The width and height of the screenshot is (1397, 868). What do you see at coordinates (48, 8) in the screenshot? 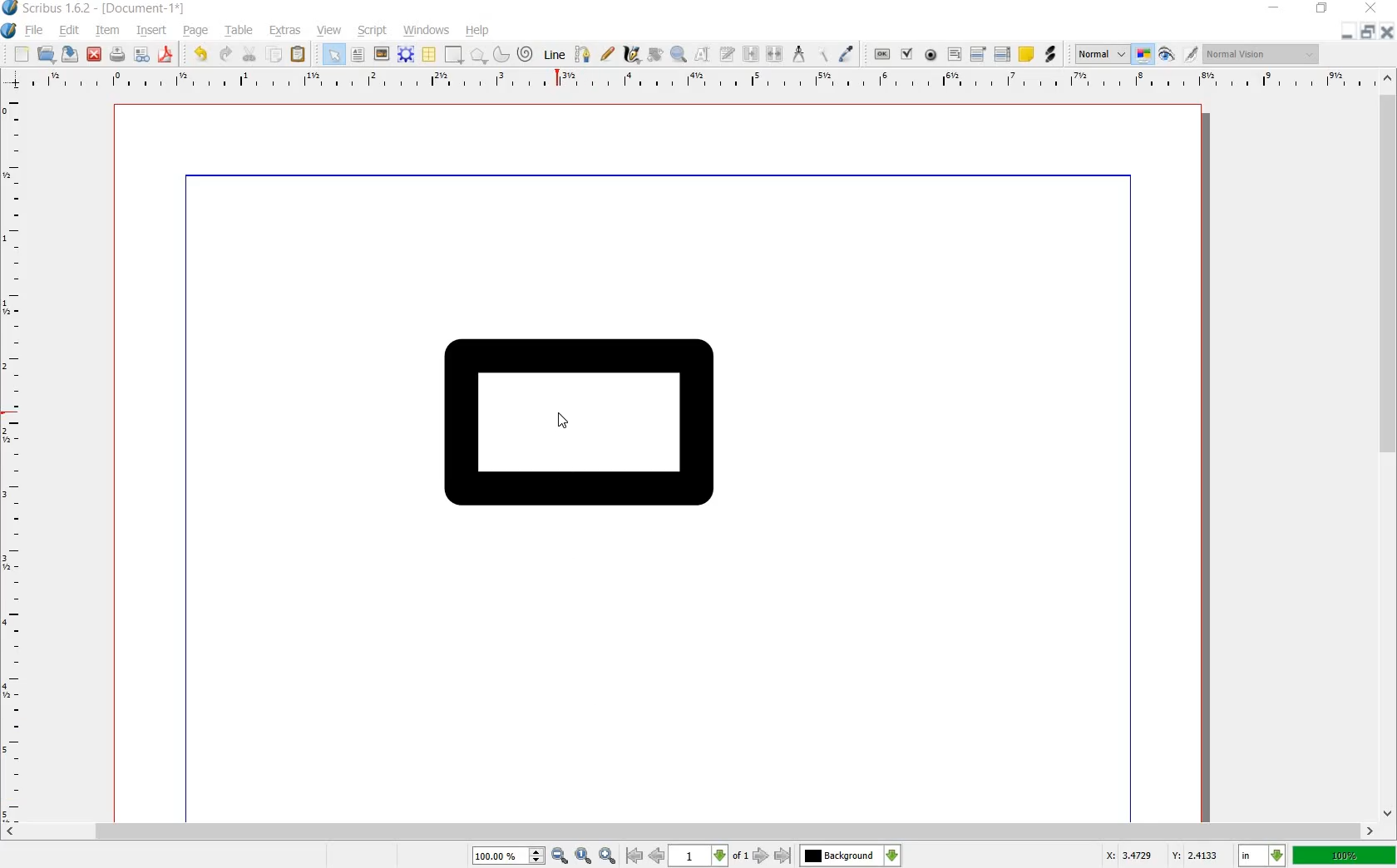
I see `Scribus 1.6.2 (application name)` at bounding box center [48, 8].